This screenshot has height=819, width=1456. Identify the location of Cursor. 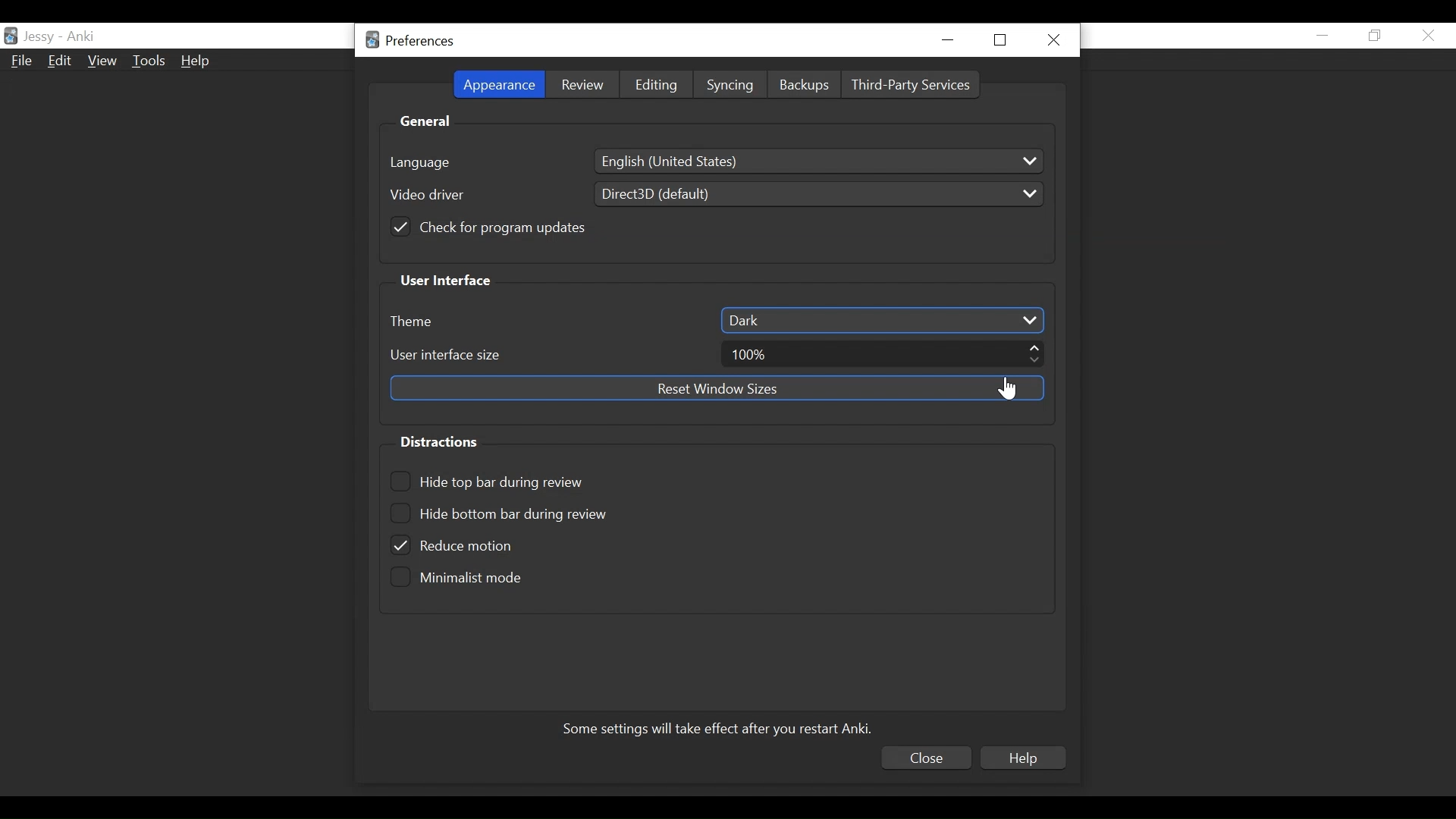
(1006, 388).